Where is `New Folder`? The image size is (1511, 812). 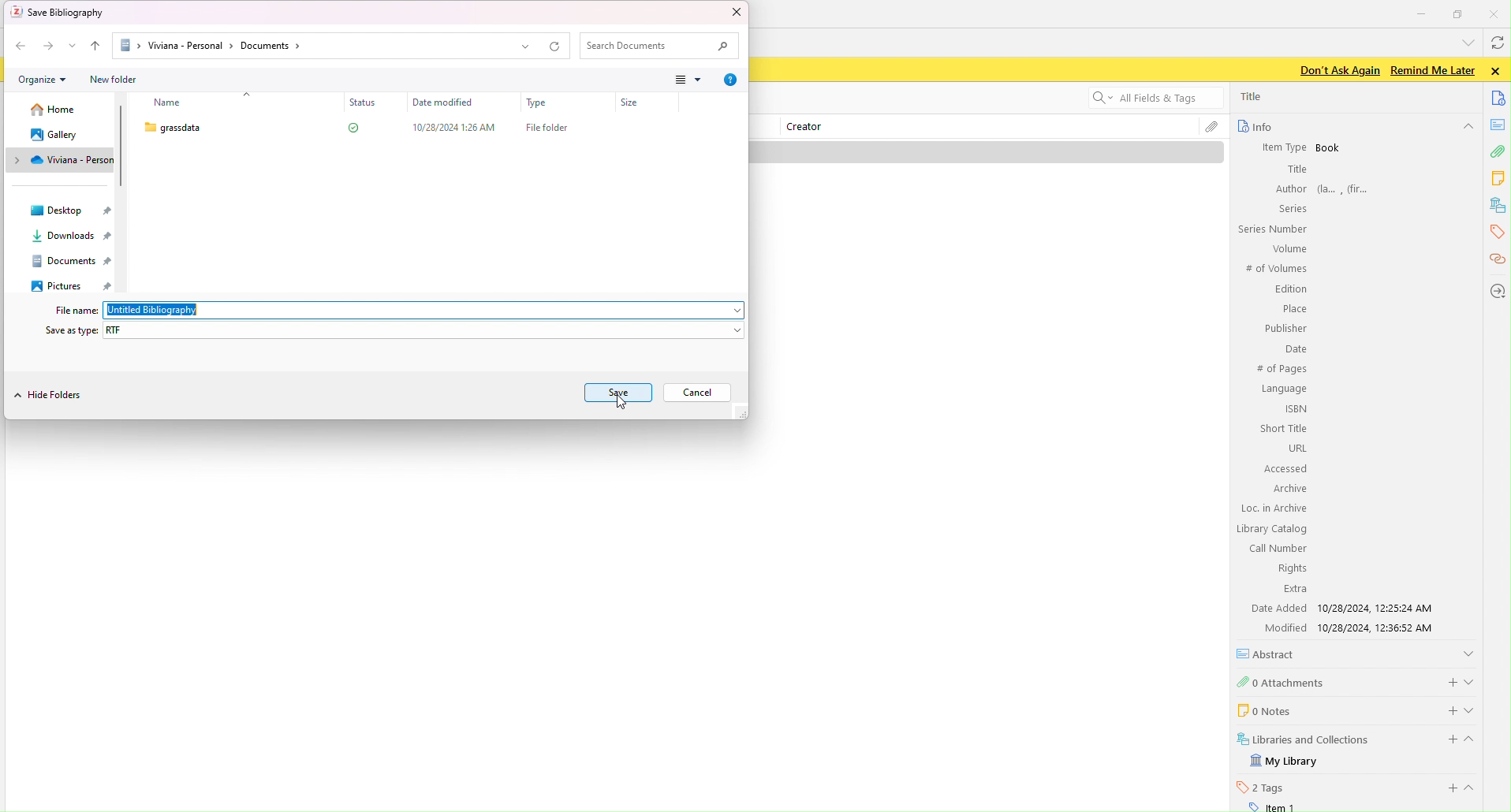
New Folder is located at coordinates (113, 80).